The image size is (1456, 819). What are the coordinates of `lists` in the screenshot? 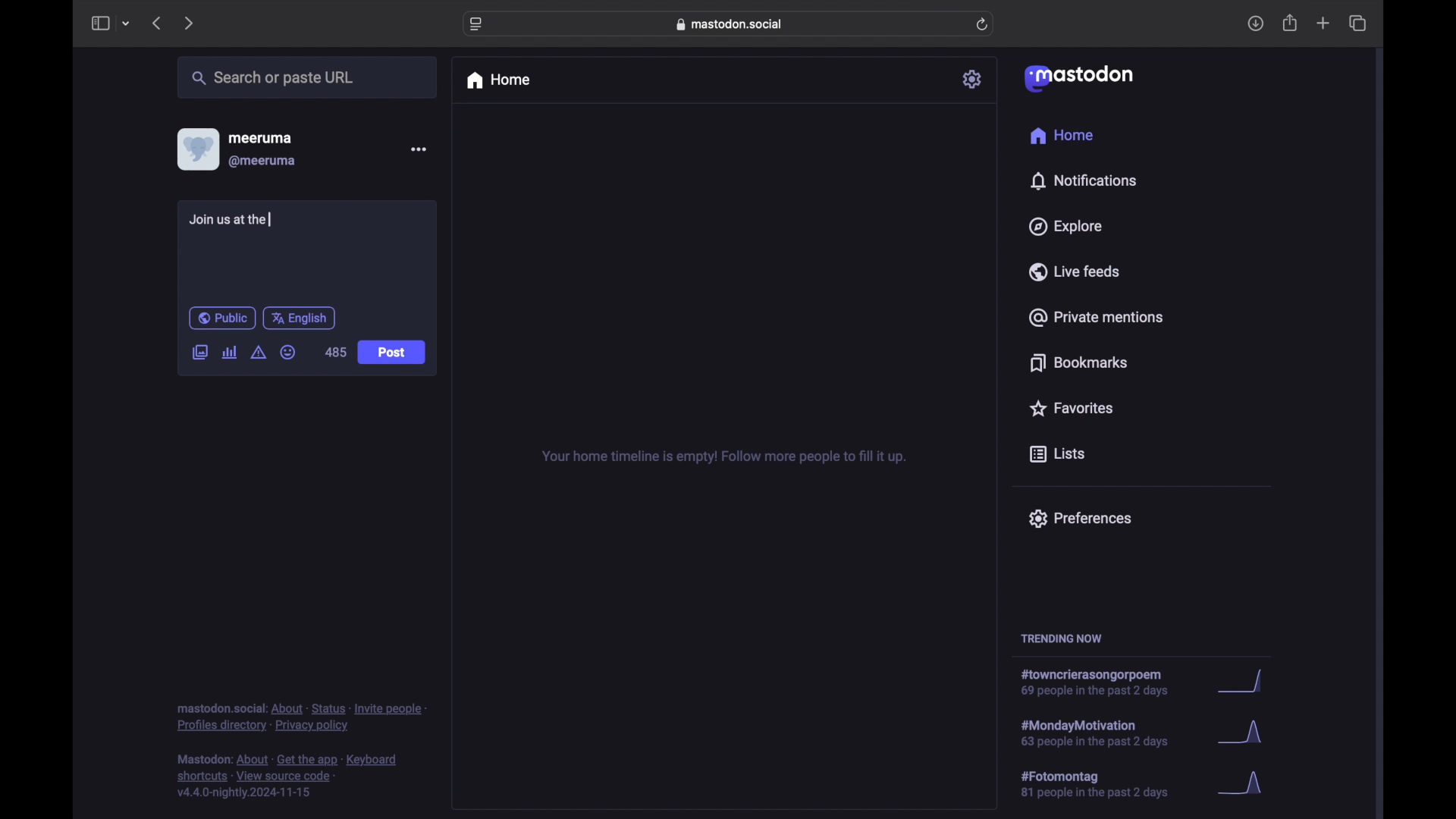 It's located at (1057, 455).